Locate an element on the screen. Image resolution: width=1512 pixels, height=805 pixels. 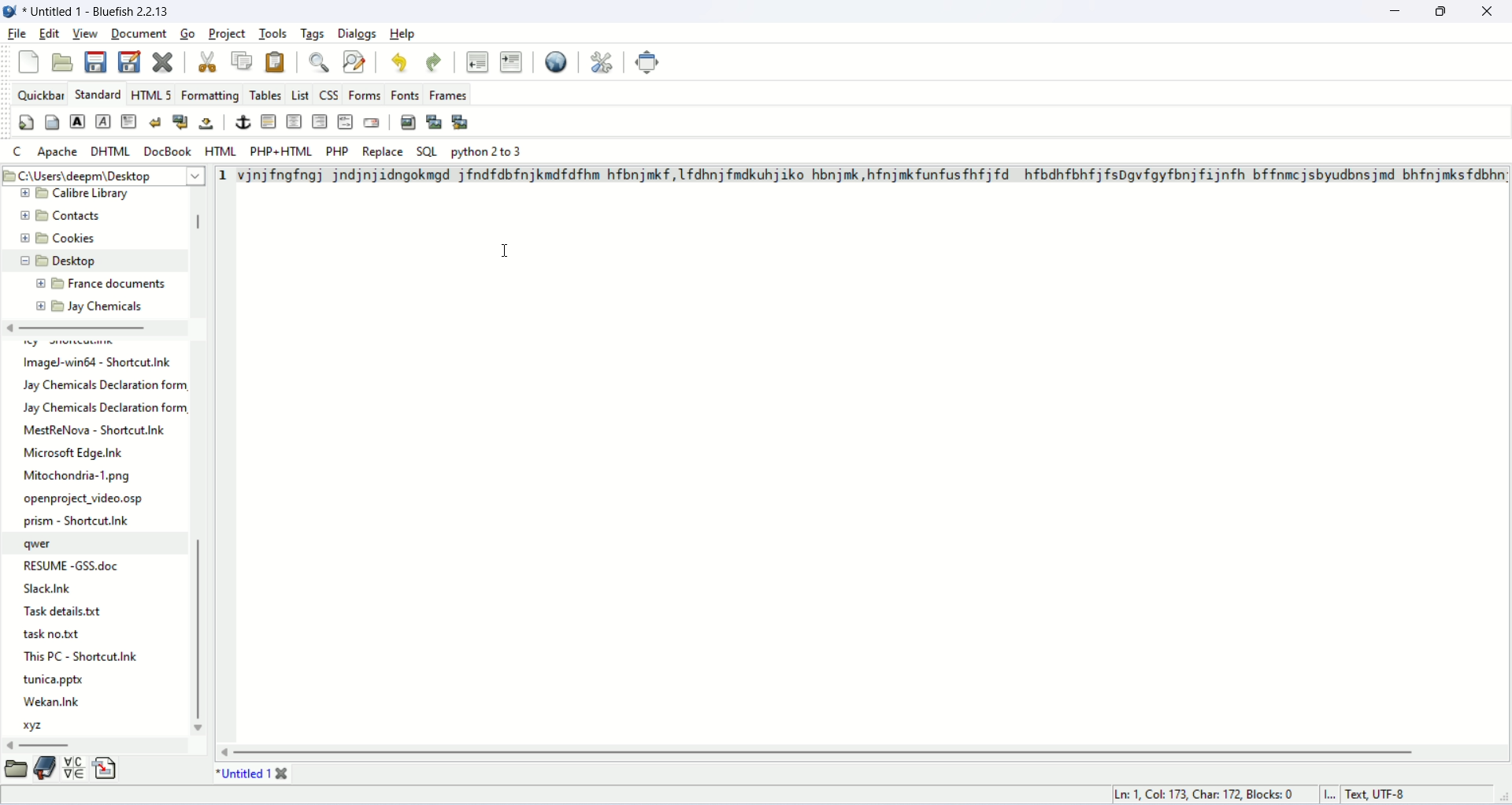
new is located at coordinates (26, 63).